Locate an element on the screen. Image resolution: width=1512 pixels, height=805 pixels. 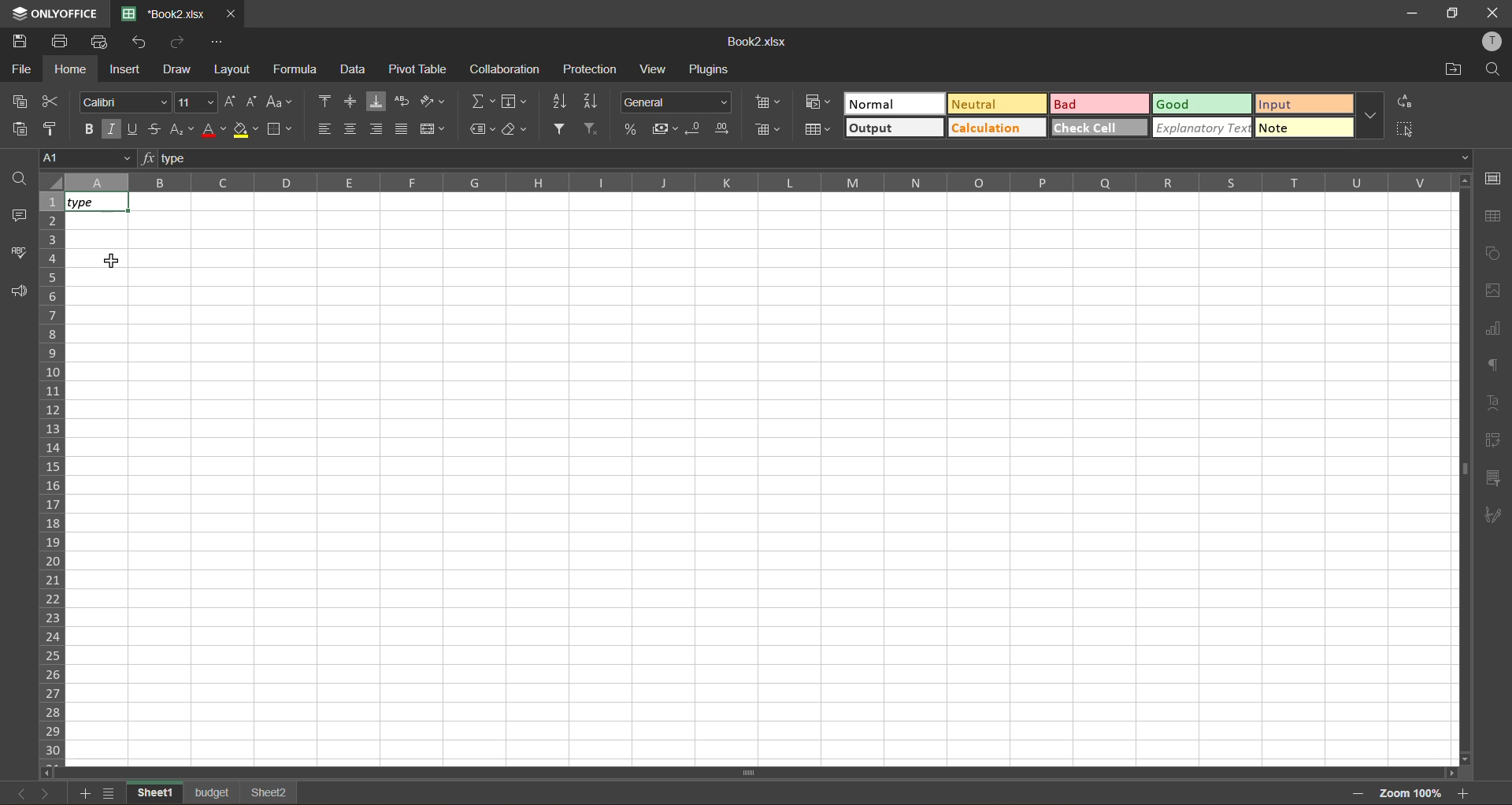
maximize is located at coordinates (1453, 14).